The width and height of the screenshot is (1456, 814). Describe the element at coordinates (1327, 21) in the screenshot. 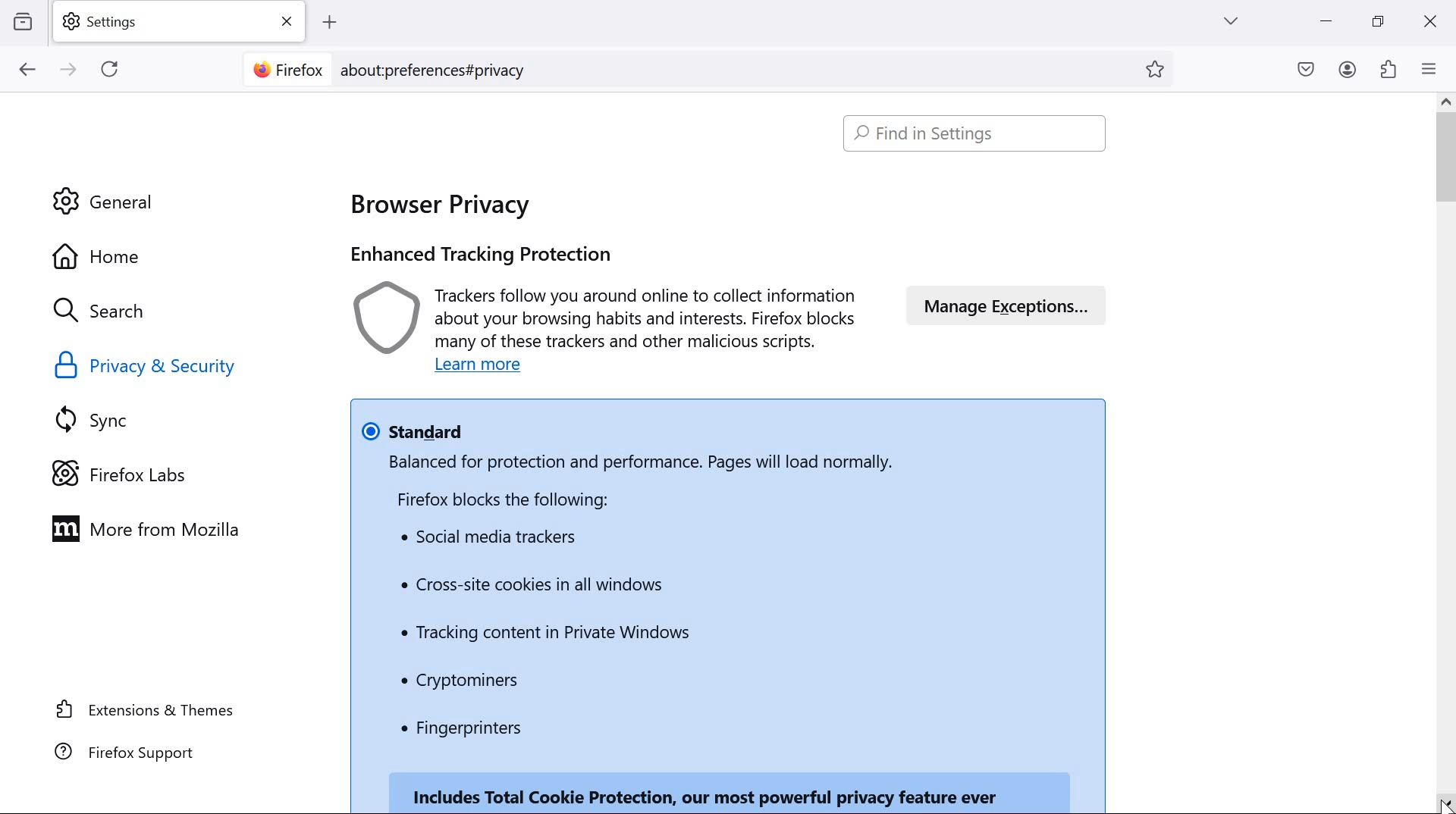

I see `minimize` at that location.